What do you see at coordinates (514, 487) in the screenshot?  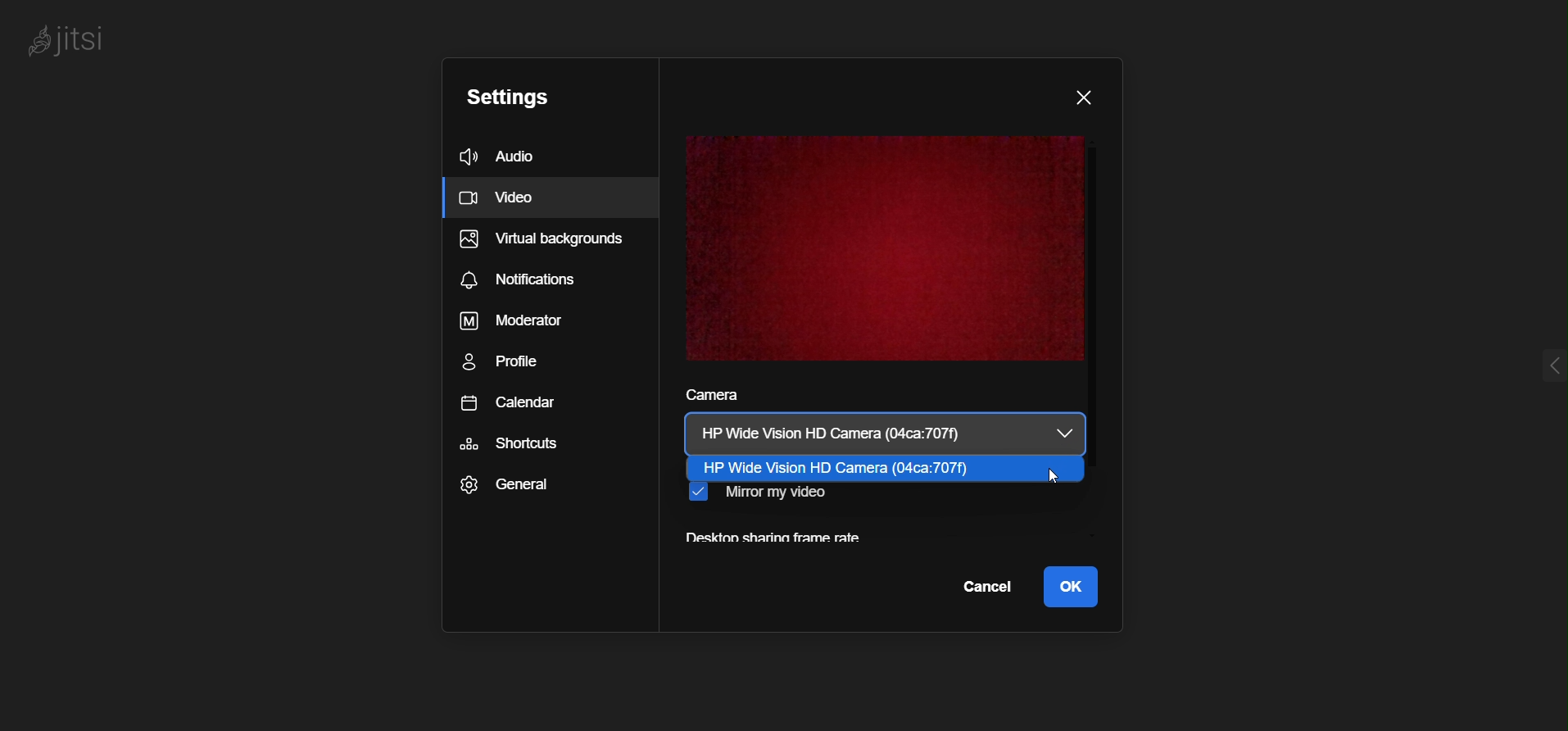 I see `general` at bounding box center [514, 487].